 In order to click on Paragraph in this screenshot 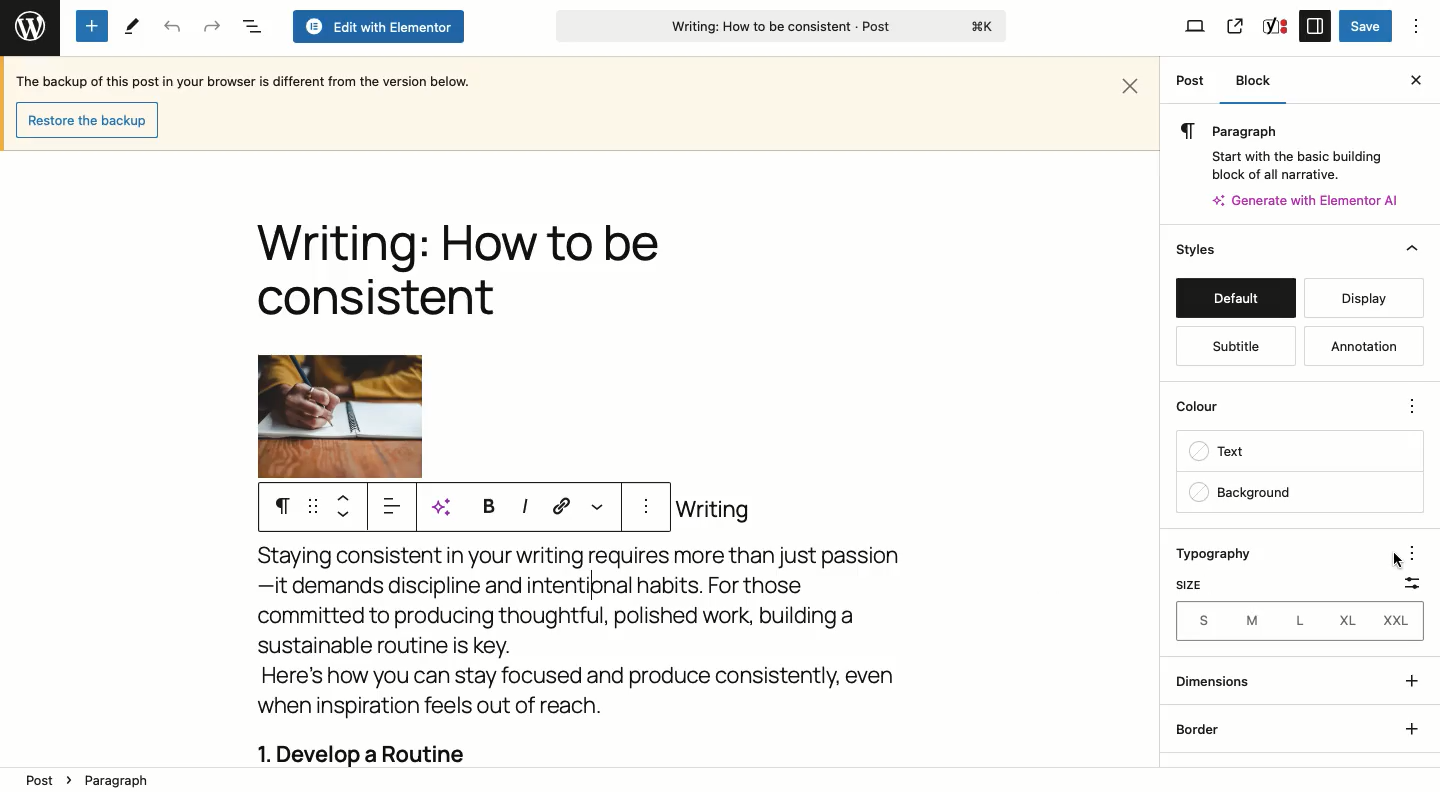, I will do `click(1285, 130)`.